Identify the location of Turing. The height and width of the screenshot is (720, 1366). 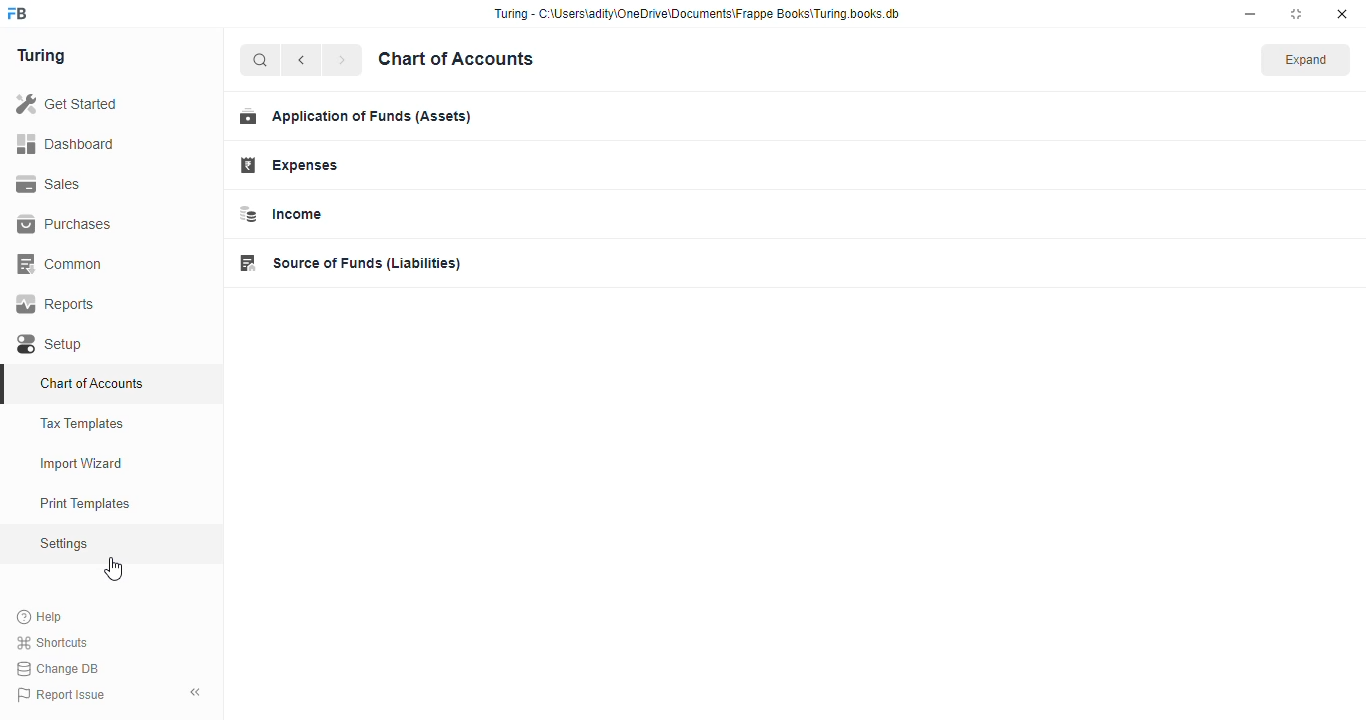
(47, 56).